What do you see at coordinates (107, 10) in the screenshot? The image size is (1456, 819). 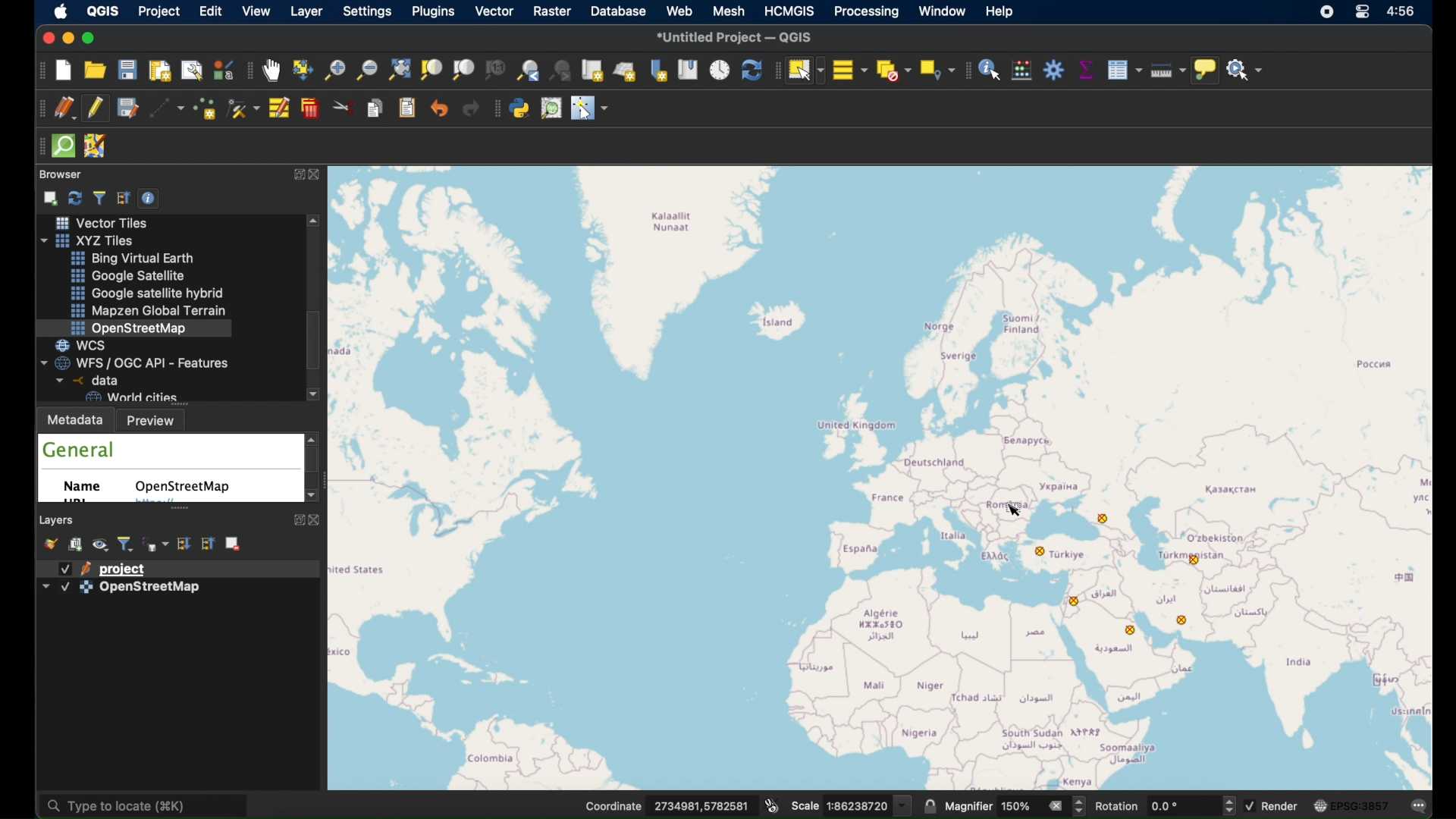 I see `QGIS` at bounding box center [107, 10].